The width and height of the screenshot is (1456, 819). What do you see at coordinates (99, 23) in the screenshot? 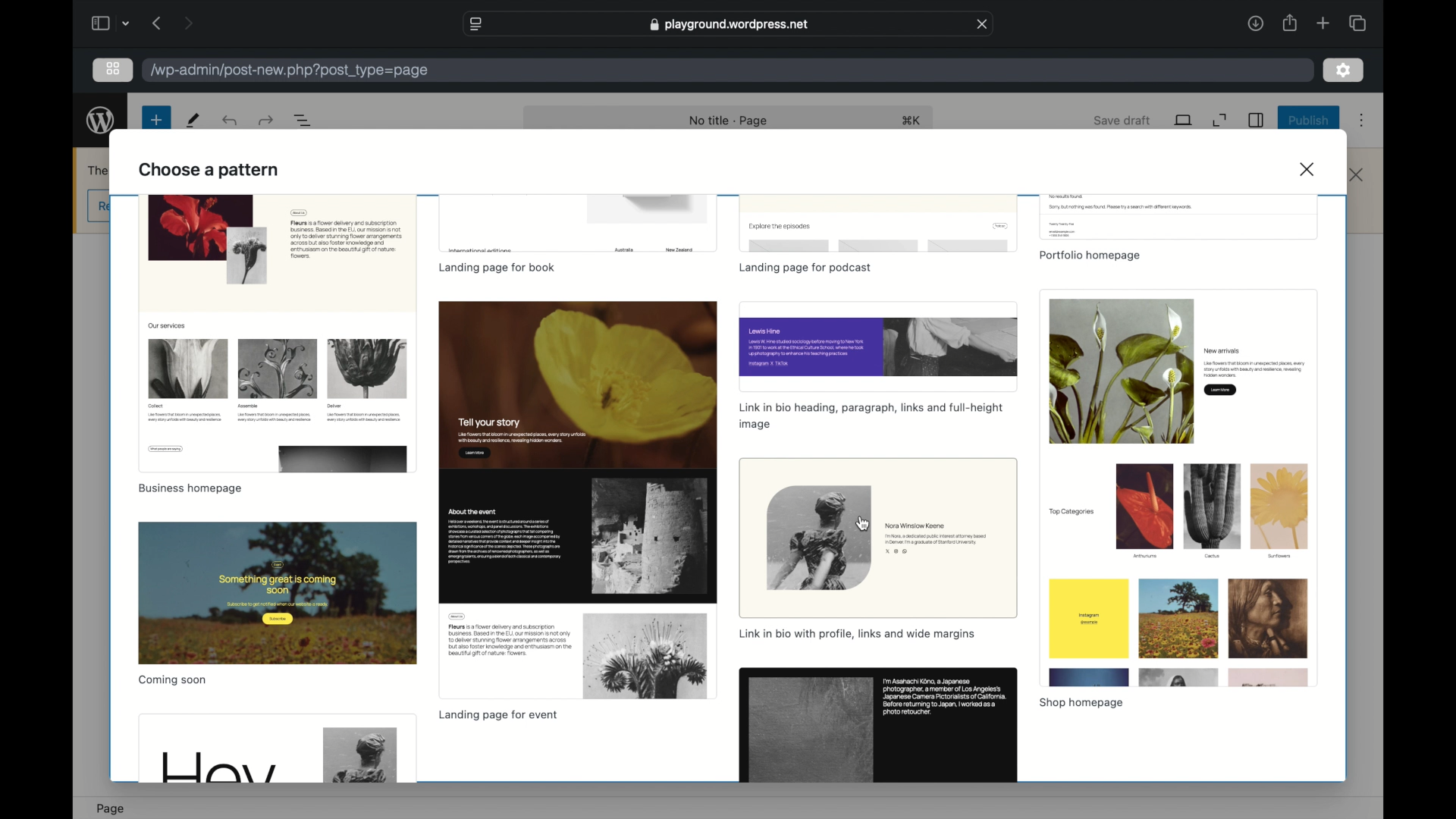
I see `sidebar` at bounding box center [99, 23].